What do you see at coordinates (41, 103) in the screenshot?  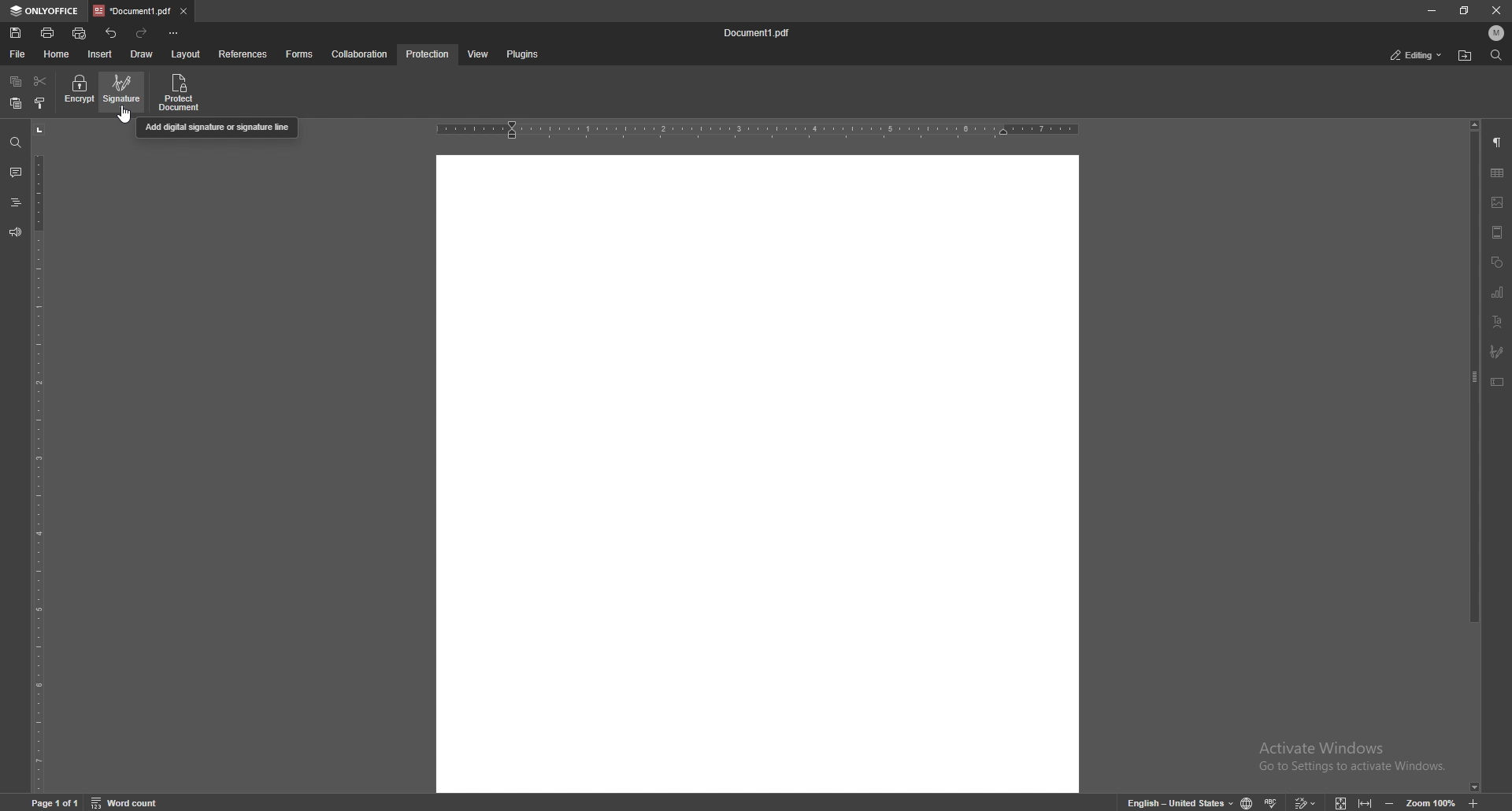 I see `copy style` at bounding box center [41, 103].